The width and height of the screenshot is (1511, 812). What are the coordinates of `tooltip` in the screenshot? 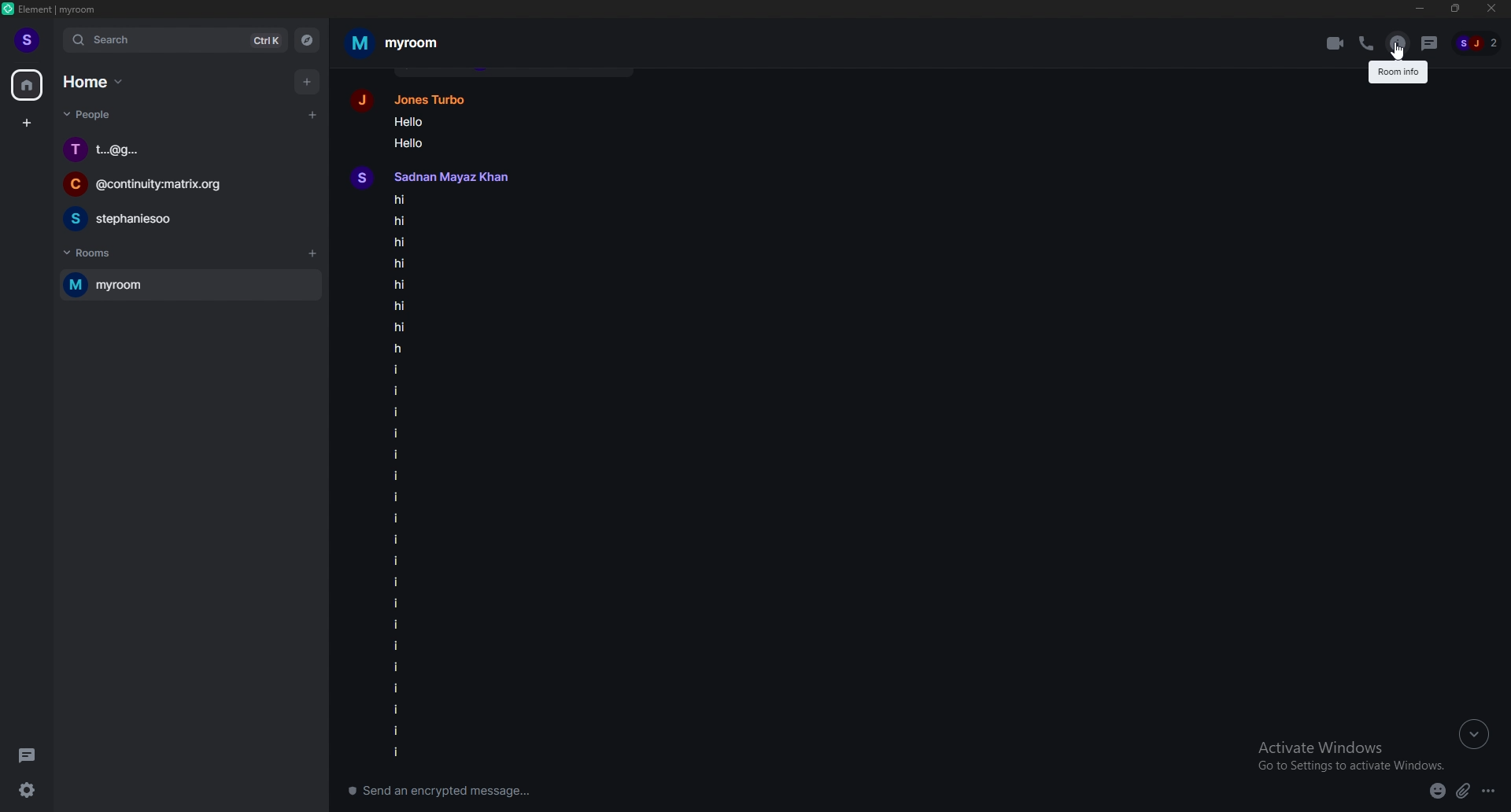 It's located at (1395, 73).